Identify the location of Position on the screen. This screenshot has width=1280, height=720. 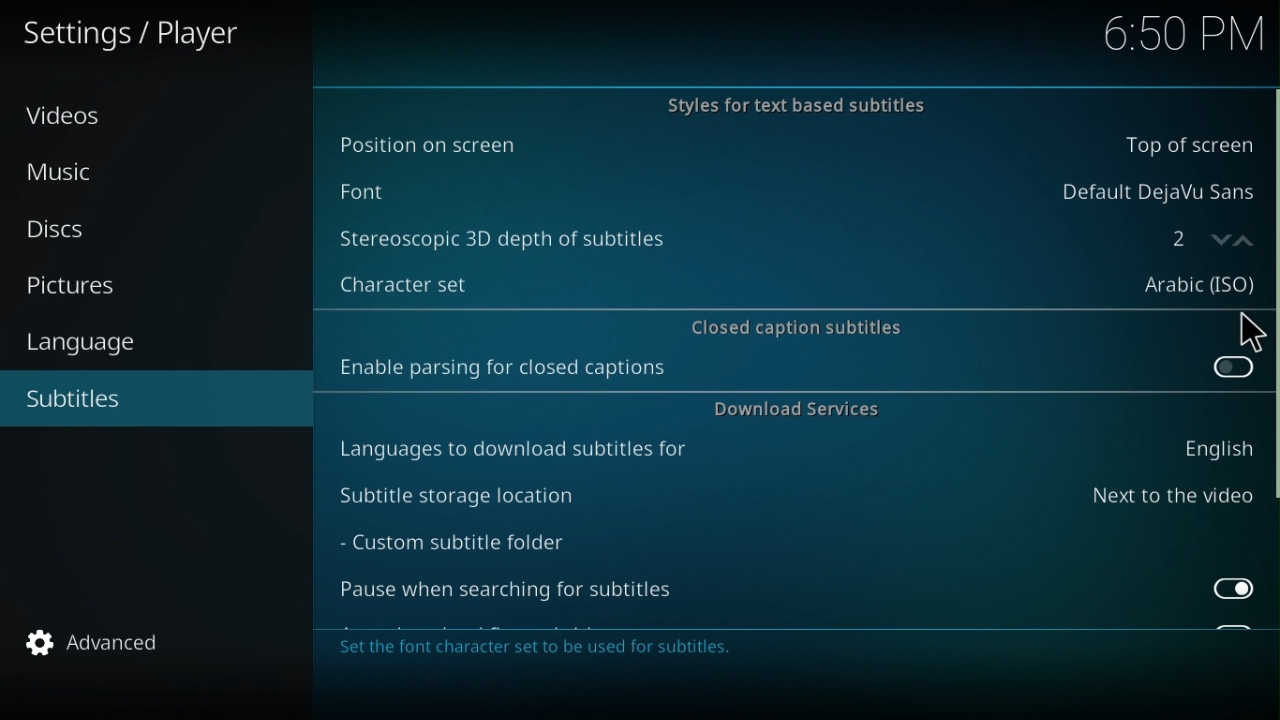
(687, 149).